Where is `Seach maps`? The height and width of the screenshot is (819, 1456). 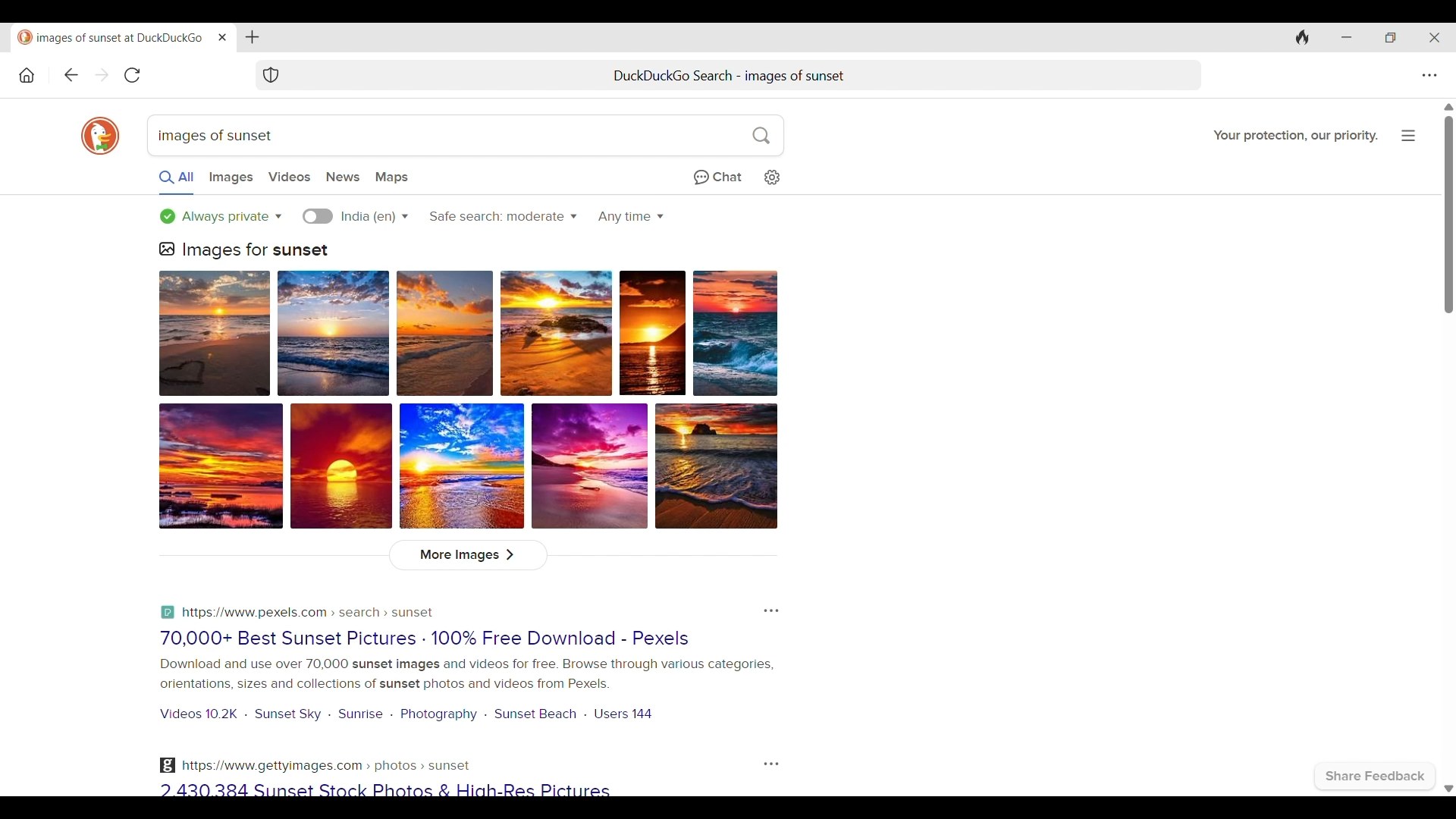 Seach maps is located at coordinates (392, 178).